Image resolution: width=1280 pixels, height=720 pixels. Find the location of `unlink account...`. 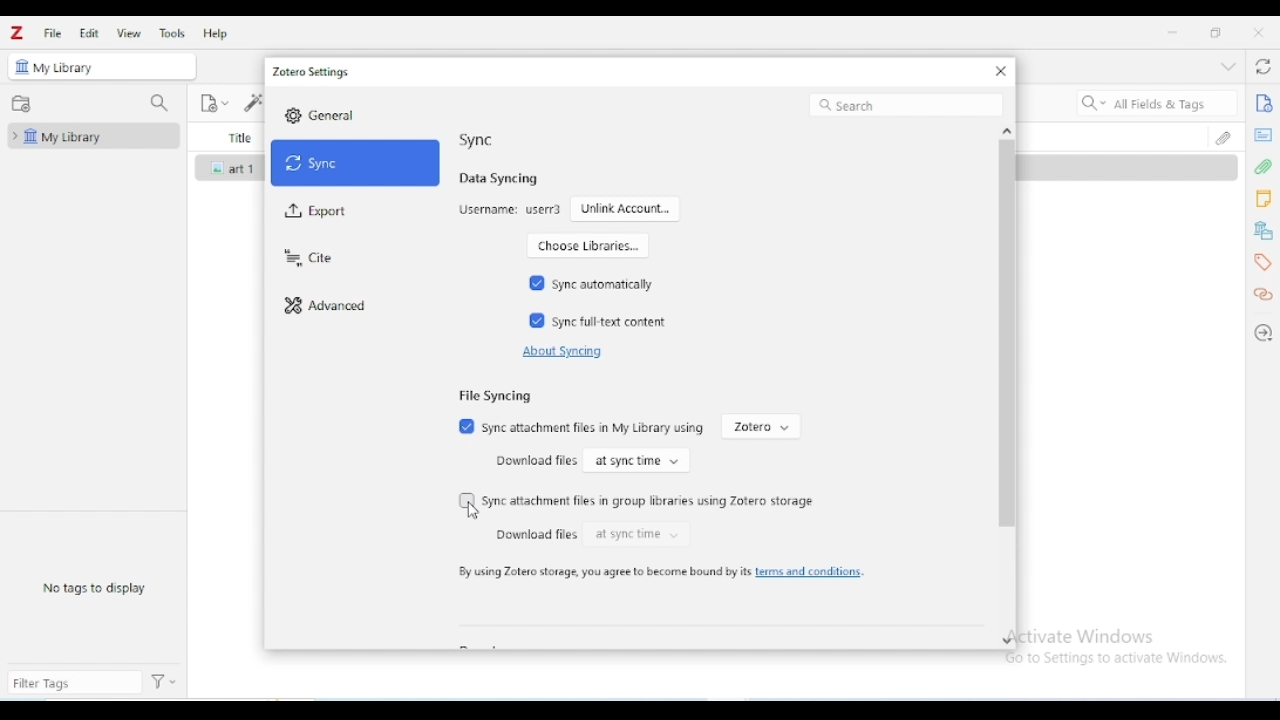

unlink account... is located at coordinates (626, 208).